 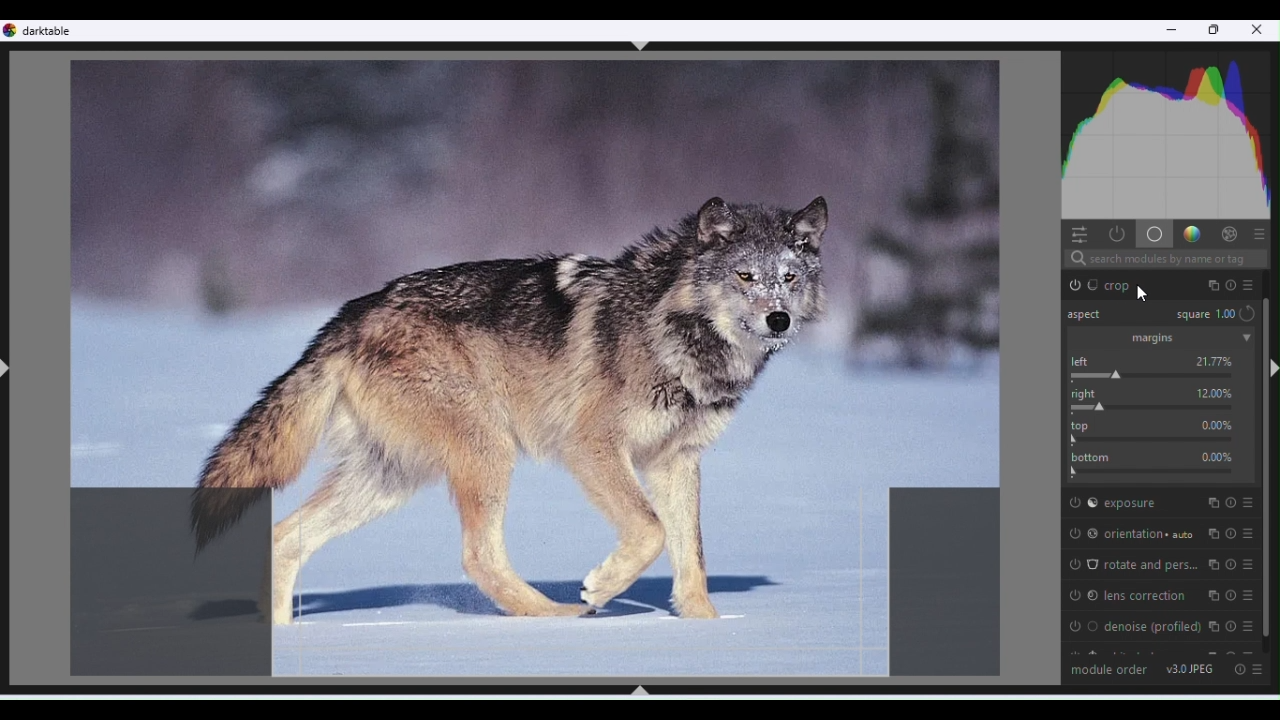 What do you see at coordinates (8, 369) in the screenshot?
I see `ctrl+shift+l` at bounding box center [8, 369].